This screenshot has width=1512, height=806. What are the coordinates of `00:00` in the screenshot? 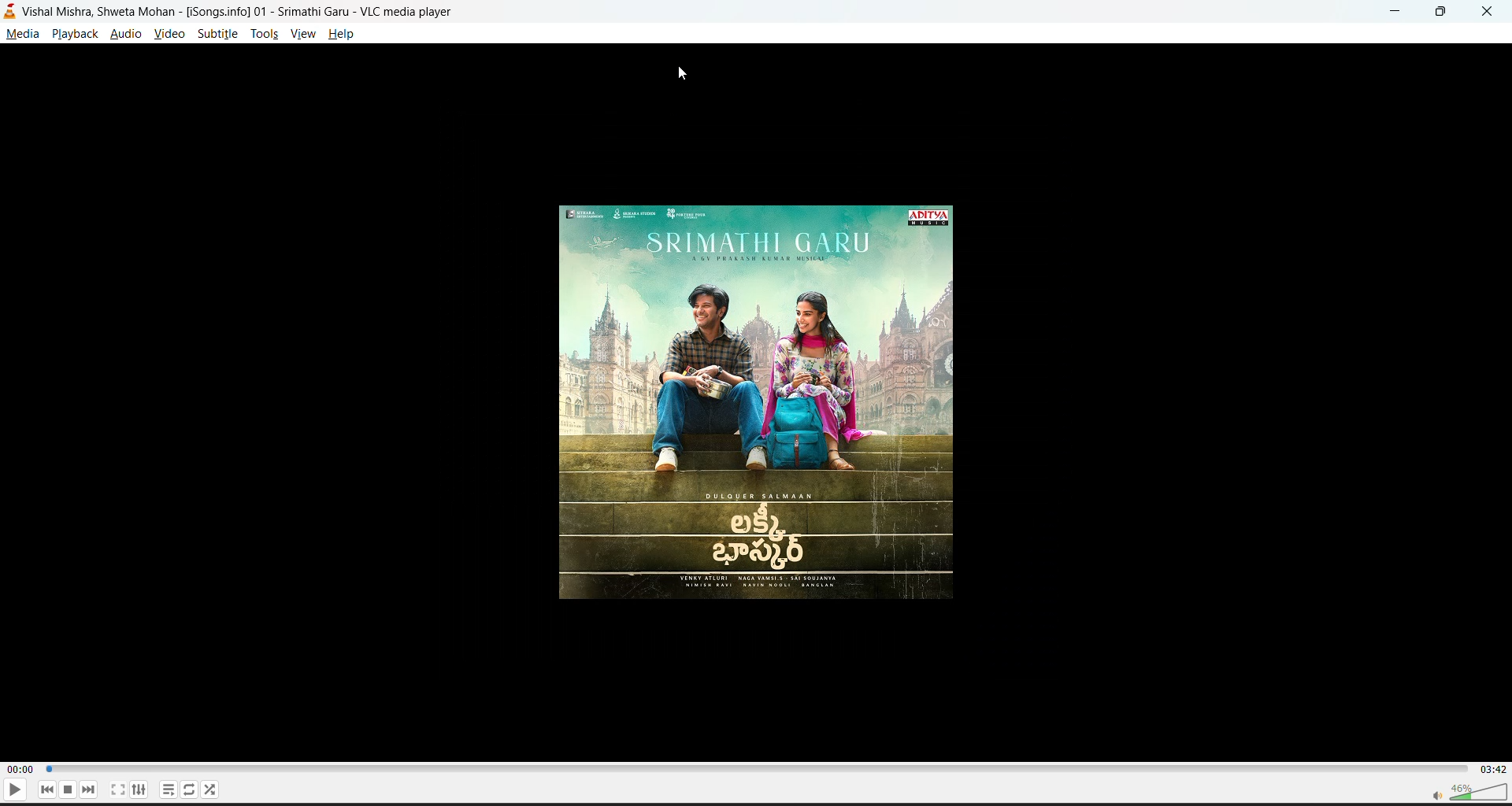 It's located at (17, 768).